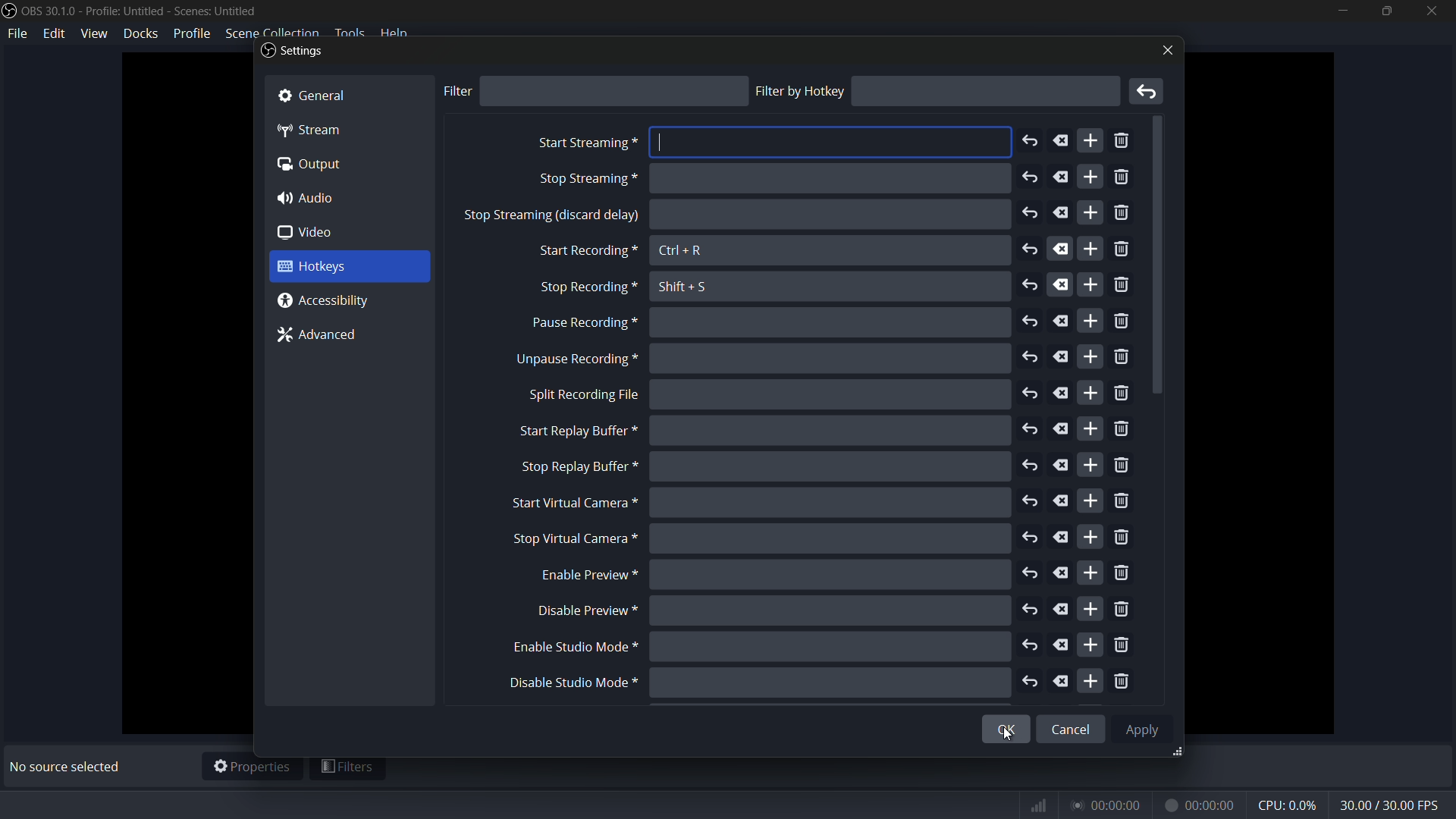 The width and height of the screenshot is (1456, 819). Describe the element at coordinates (1121, 323) in the screenshot. I see `remove` at that location.